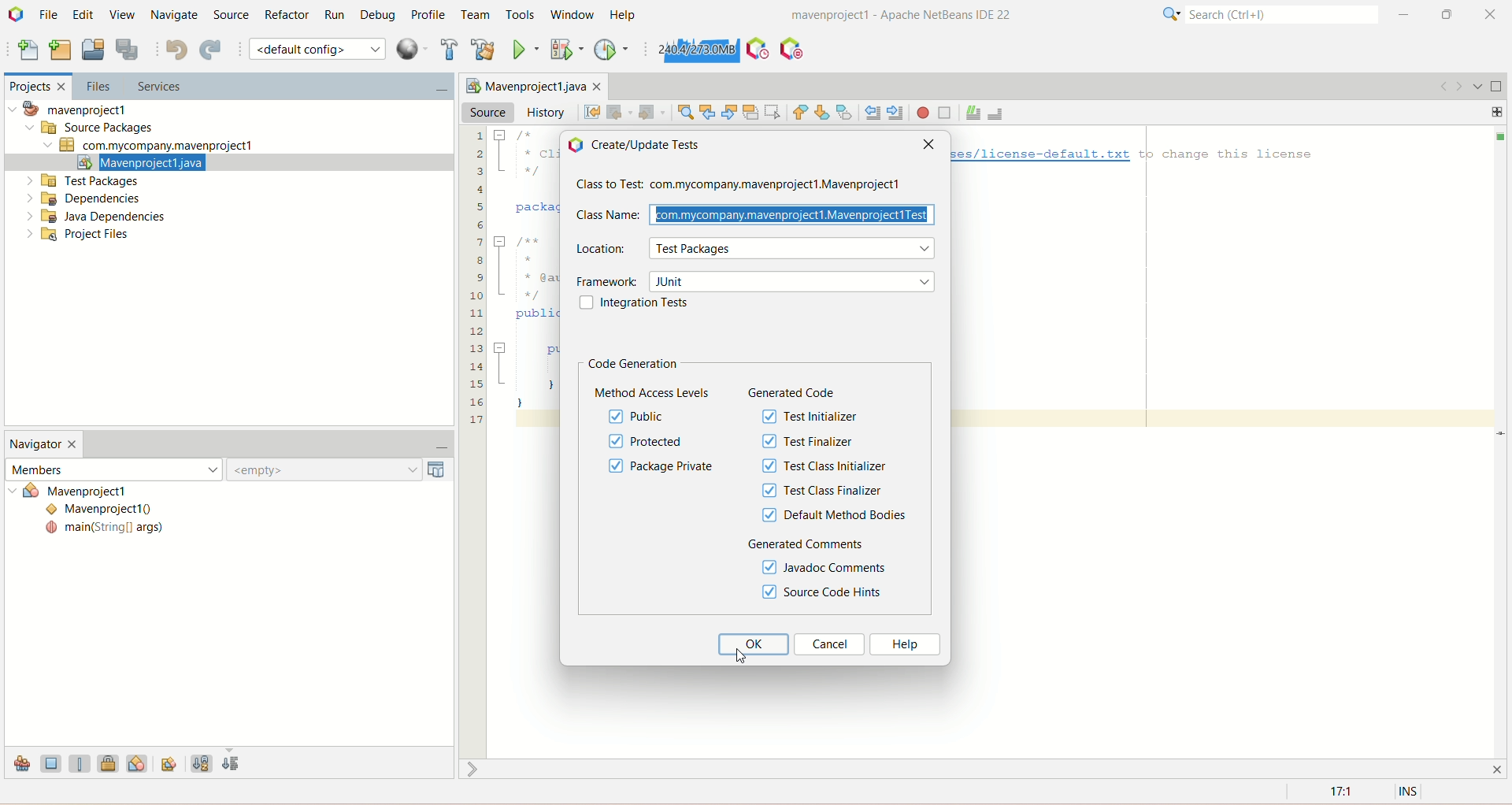 This screenshot has height=805, width=1512. Describe the element at coordinates (649, 113) in the screenshot. I see `forward` at that location.